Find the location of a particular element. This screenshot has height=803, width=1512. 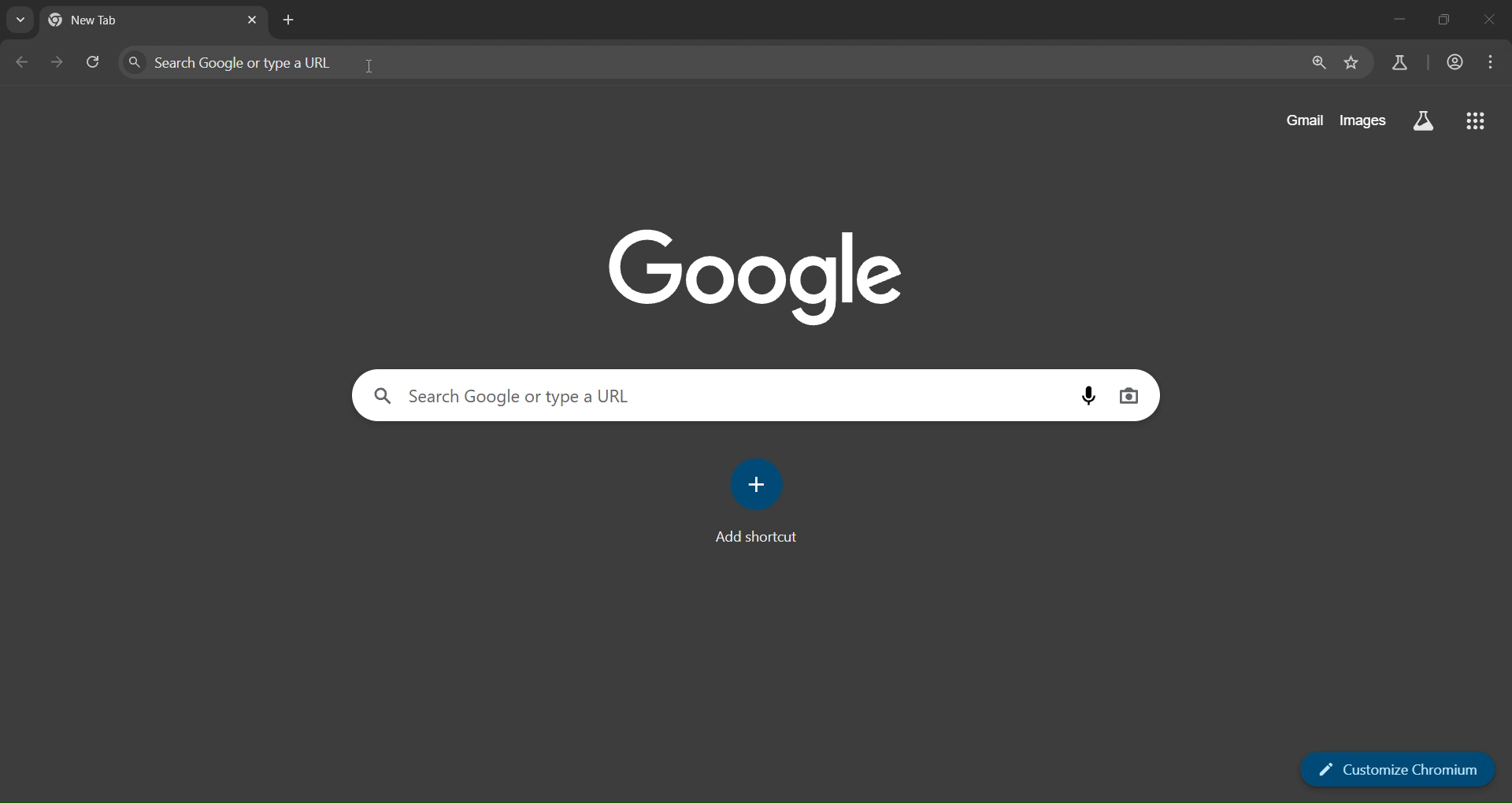

restore down is located at coordinates (1442, 19).